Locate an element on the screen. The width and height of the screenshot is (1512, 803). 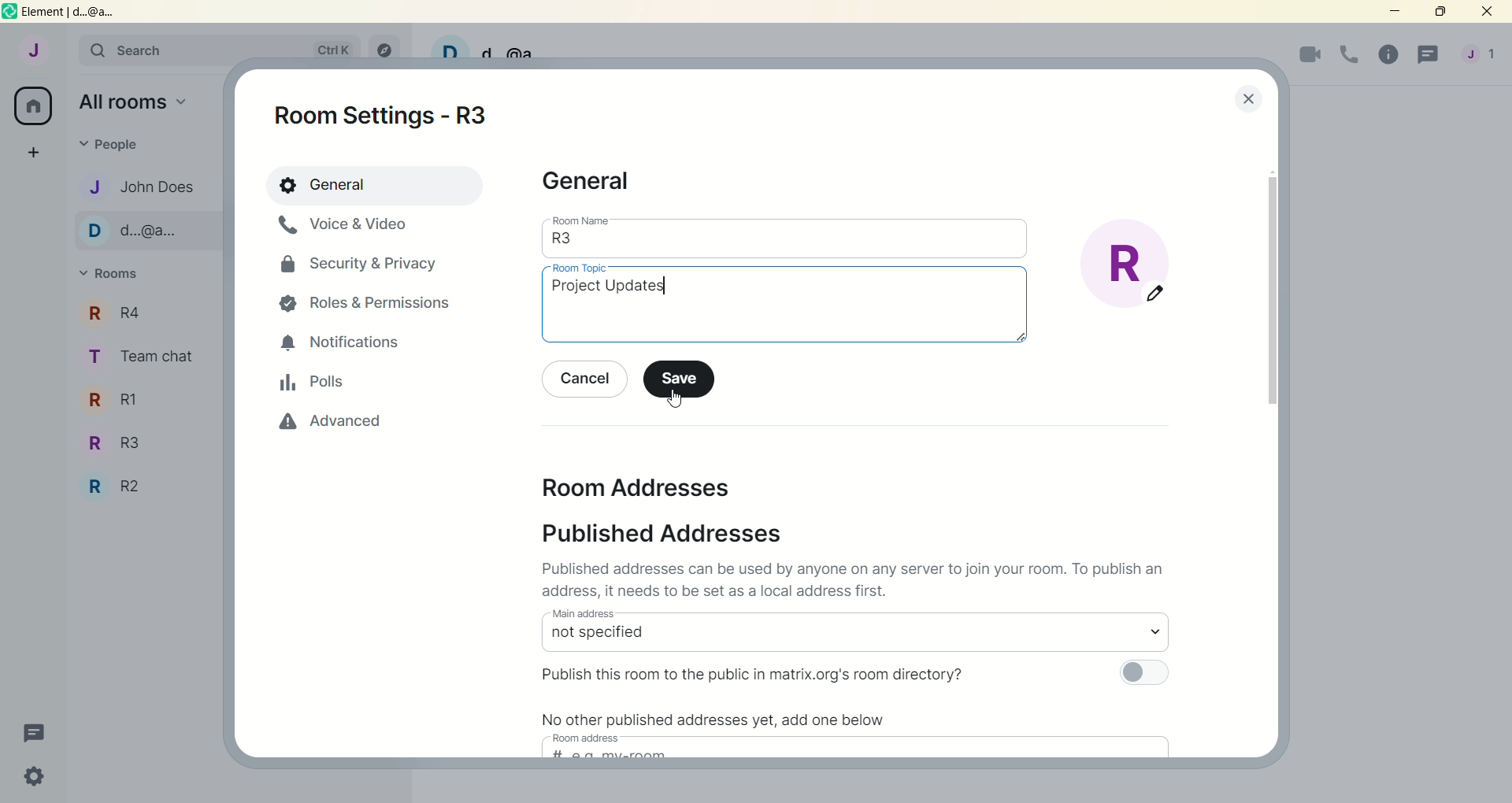
cancel is located at coordinates (584, 378).